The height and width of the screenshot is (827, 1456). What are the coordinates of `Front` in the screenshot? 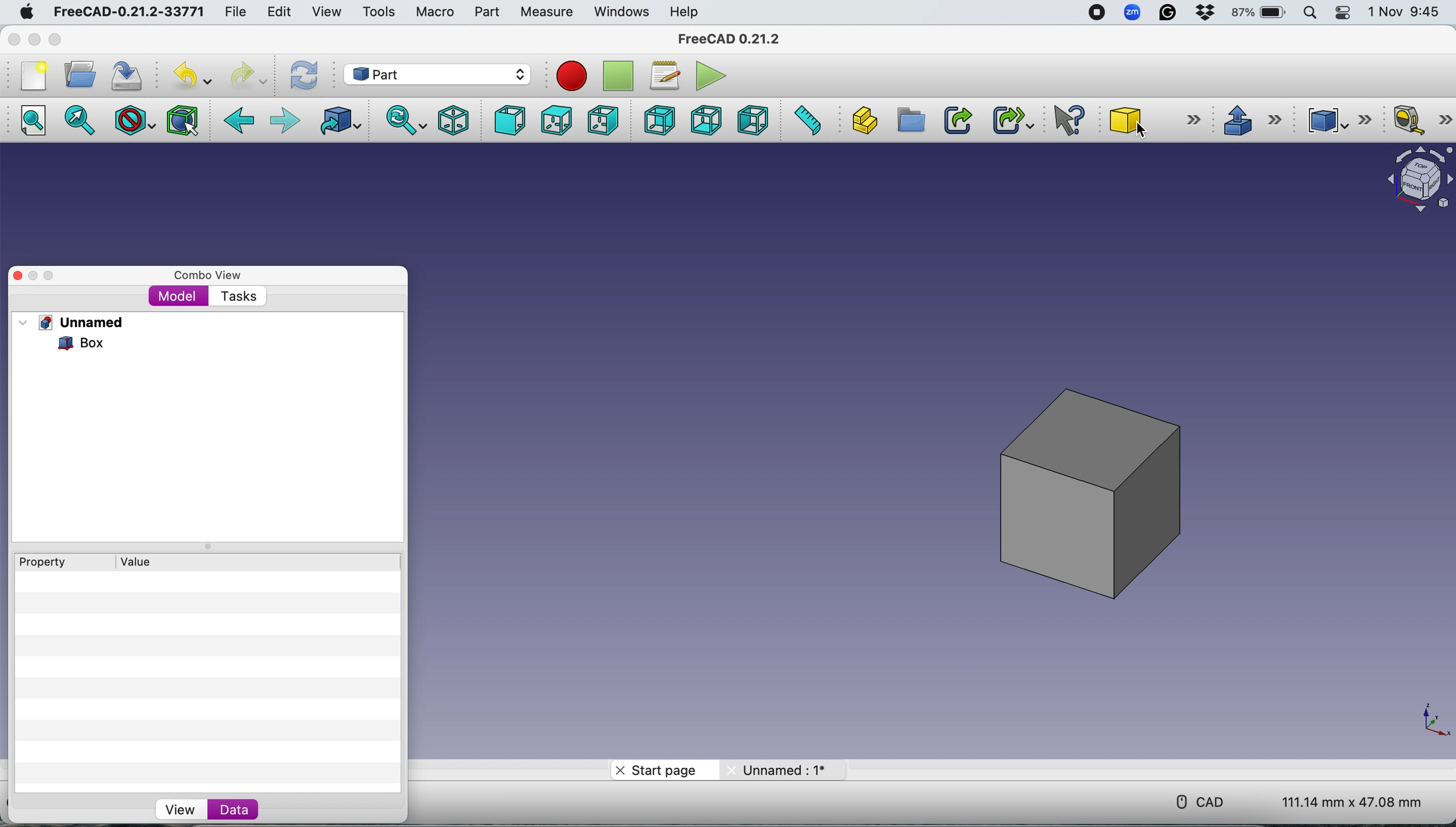 It's located at (506, 120).